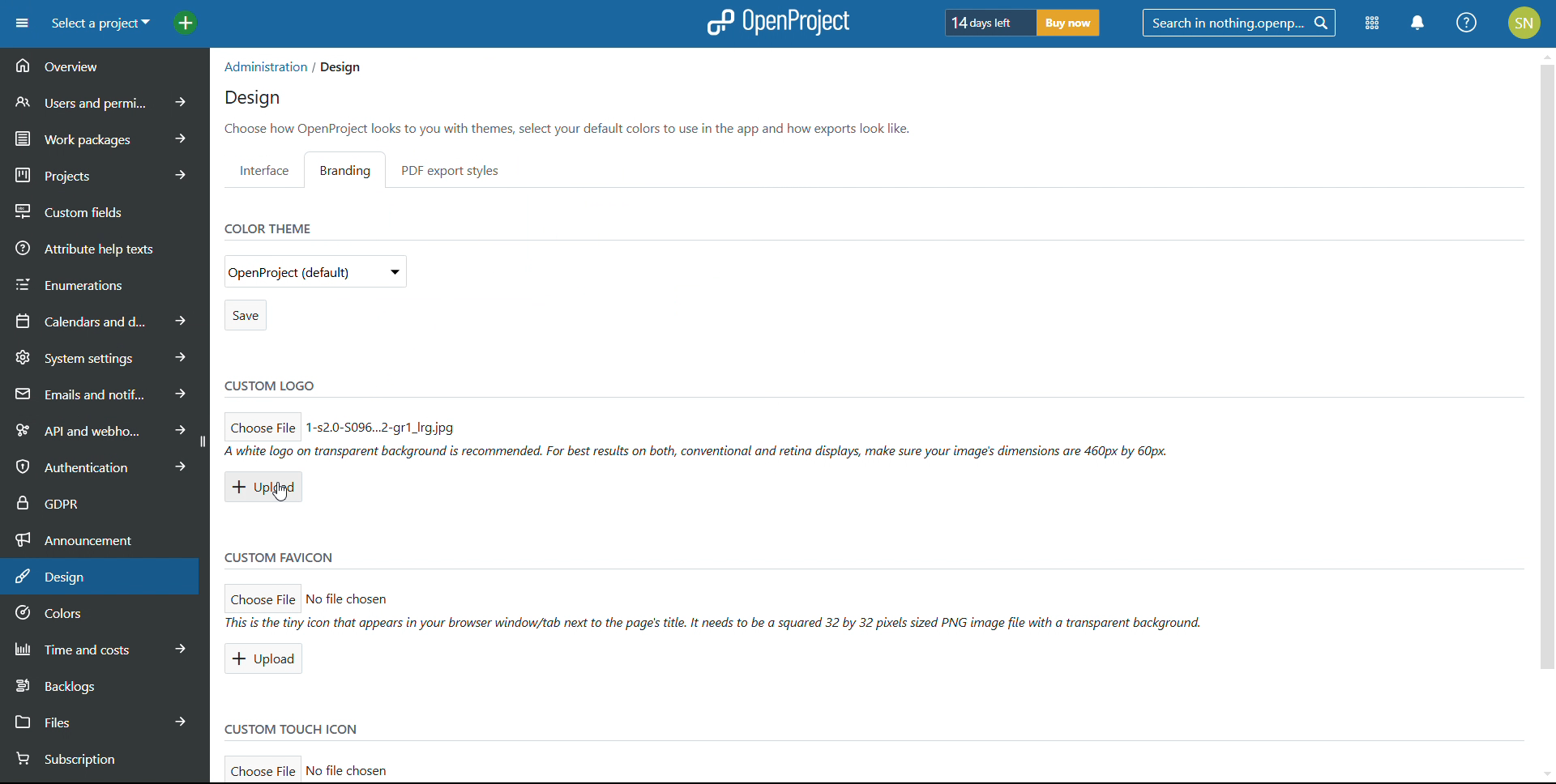 The width and height of the screenshot is (1556, 784). What do you see at coordinates (102, 614) in the screenshot?
I see `colors` at bounding box center [102, 614].